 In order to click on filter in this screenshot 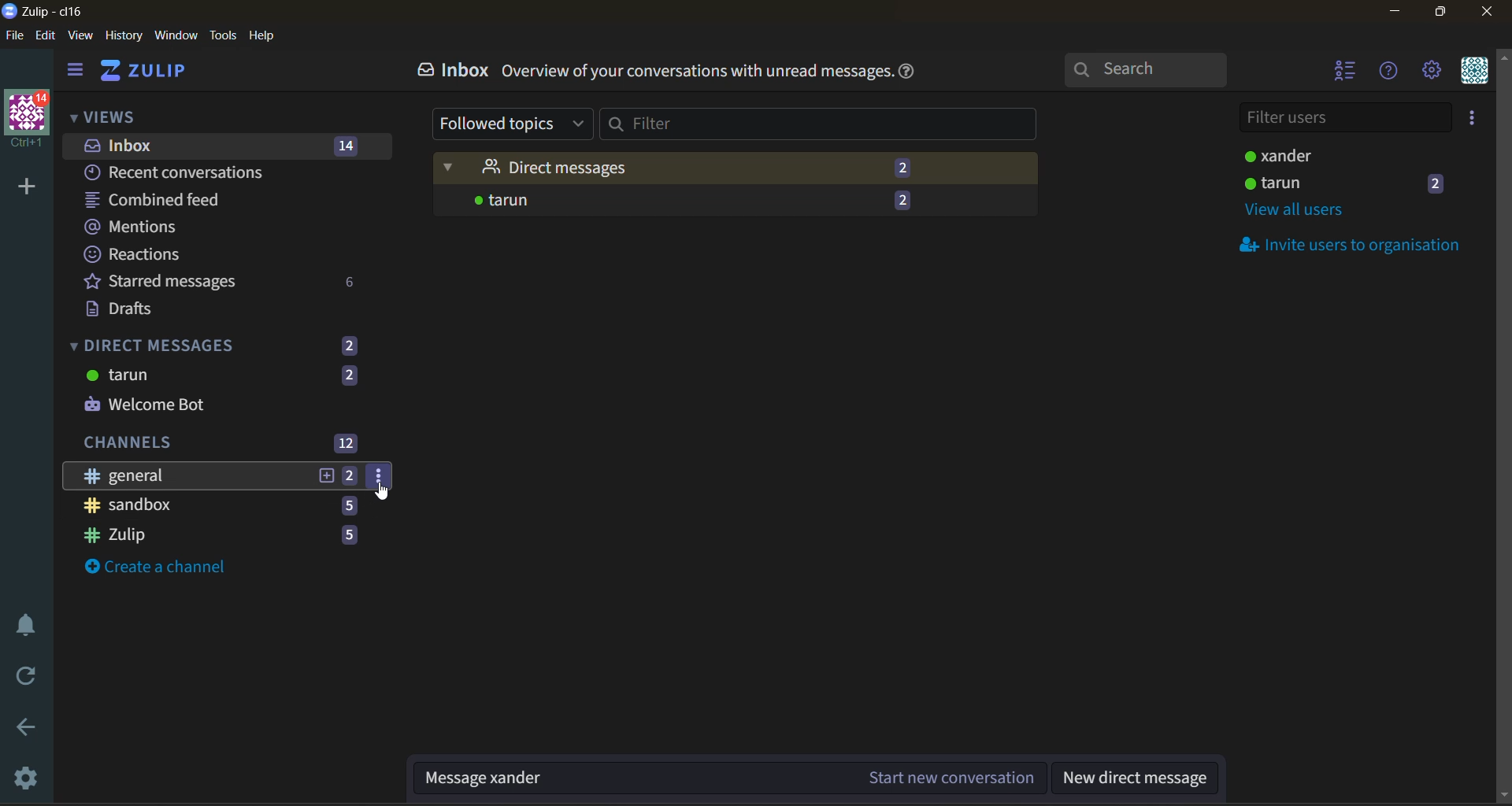, I will do `click(823, 126)`.